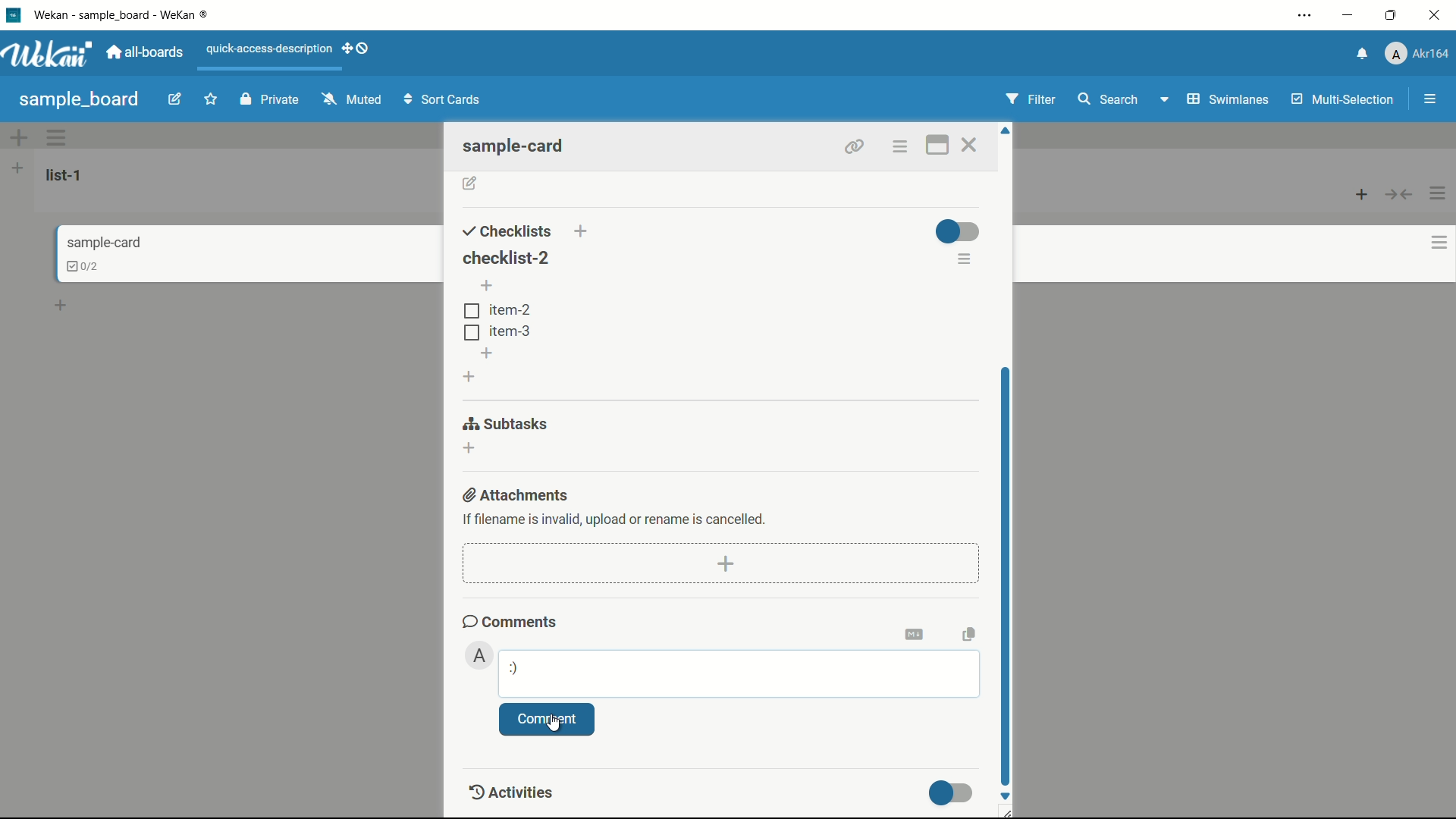 This screenshot has width=1456, height=819. Describe the element at coordinates (507, 231) in the screenshot. I see `checklists` at that location.